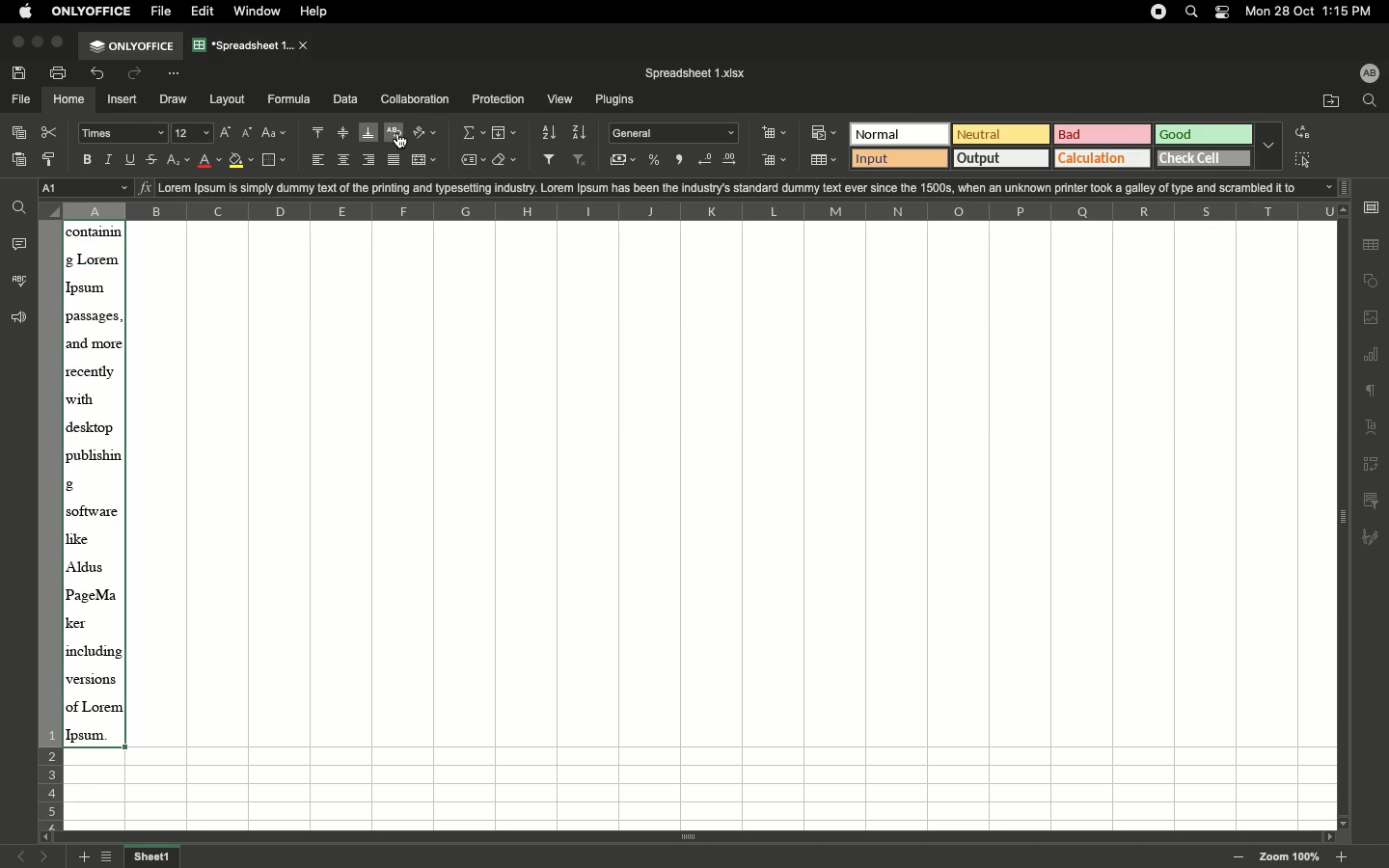  I want to click on Copy style, so click(51, 160).